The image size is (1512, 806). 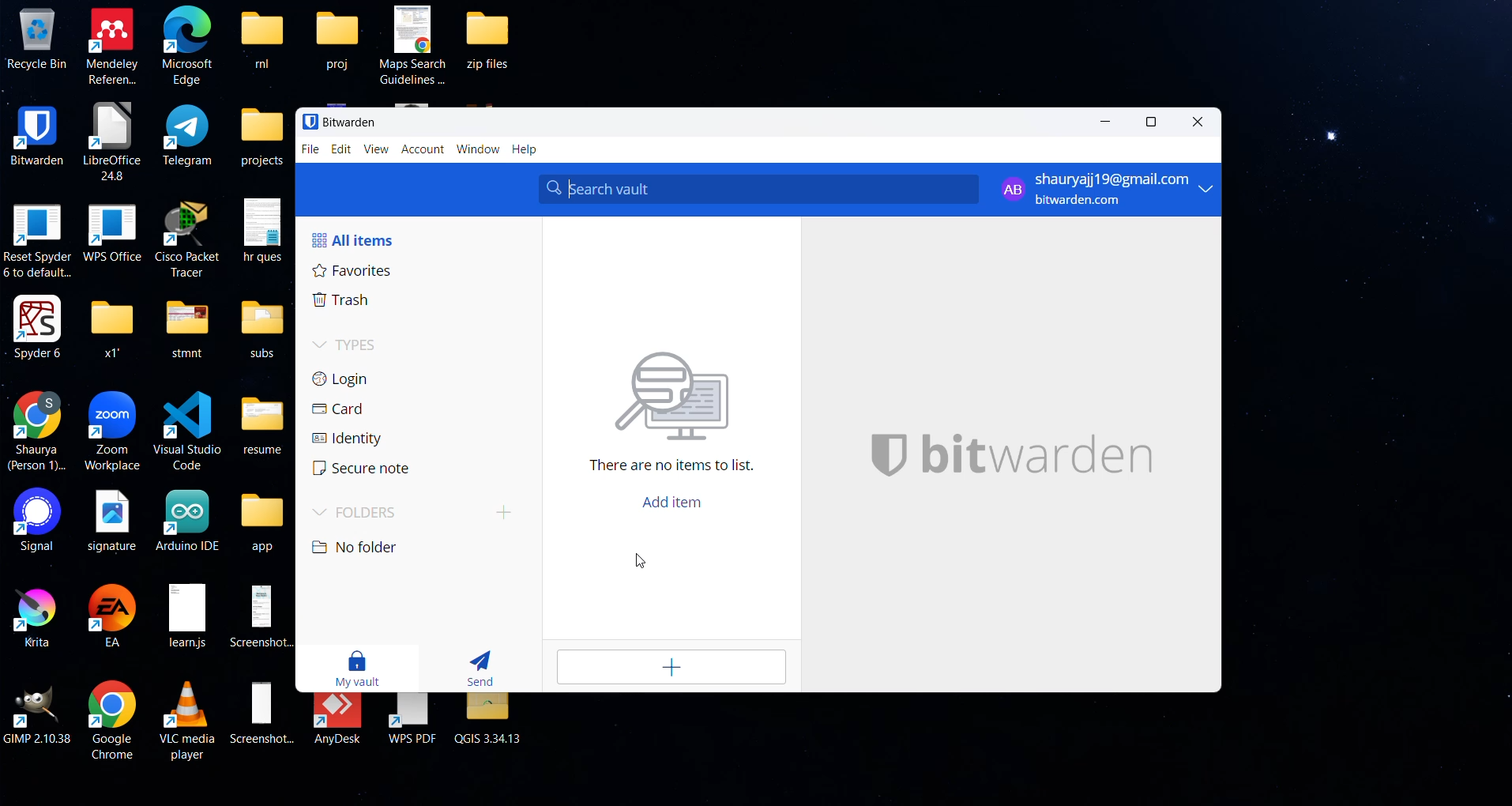 I want to click on proj, so click(x=337, y=38).